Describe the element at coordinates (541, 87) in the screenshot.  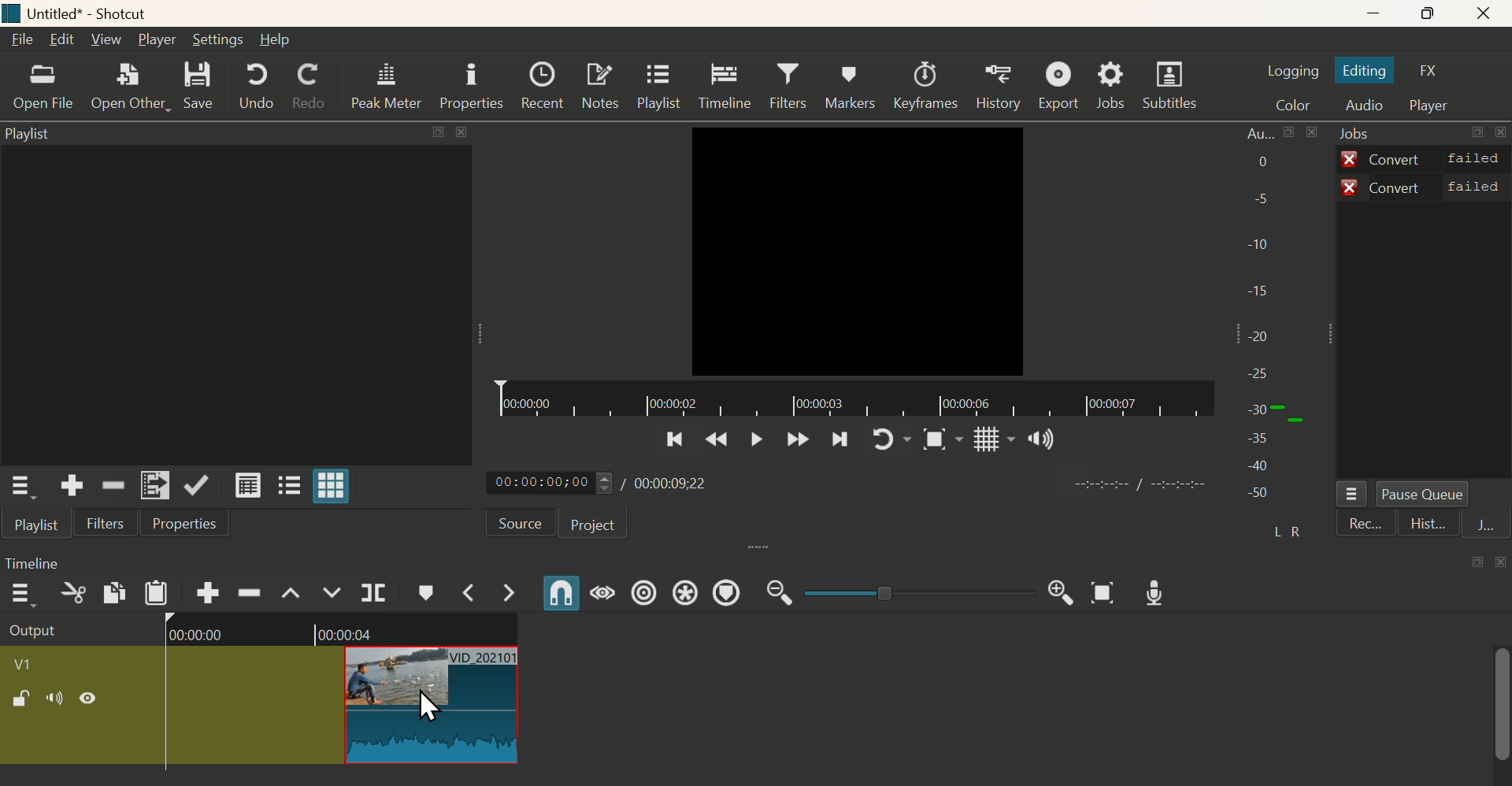
I see `Recent` at that location.